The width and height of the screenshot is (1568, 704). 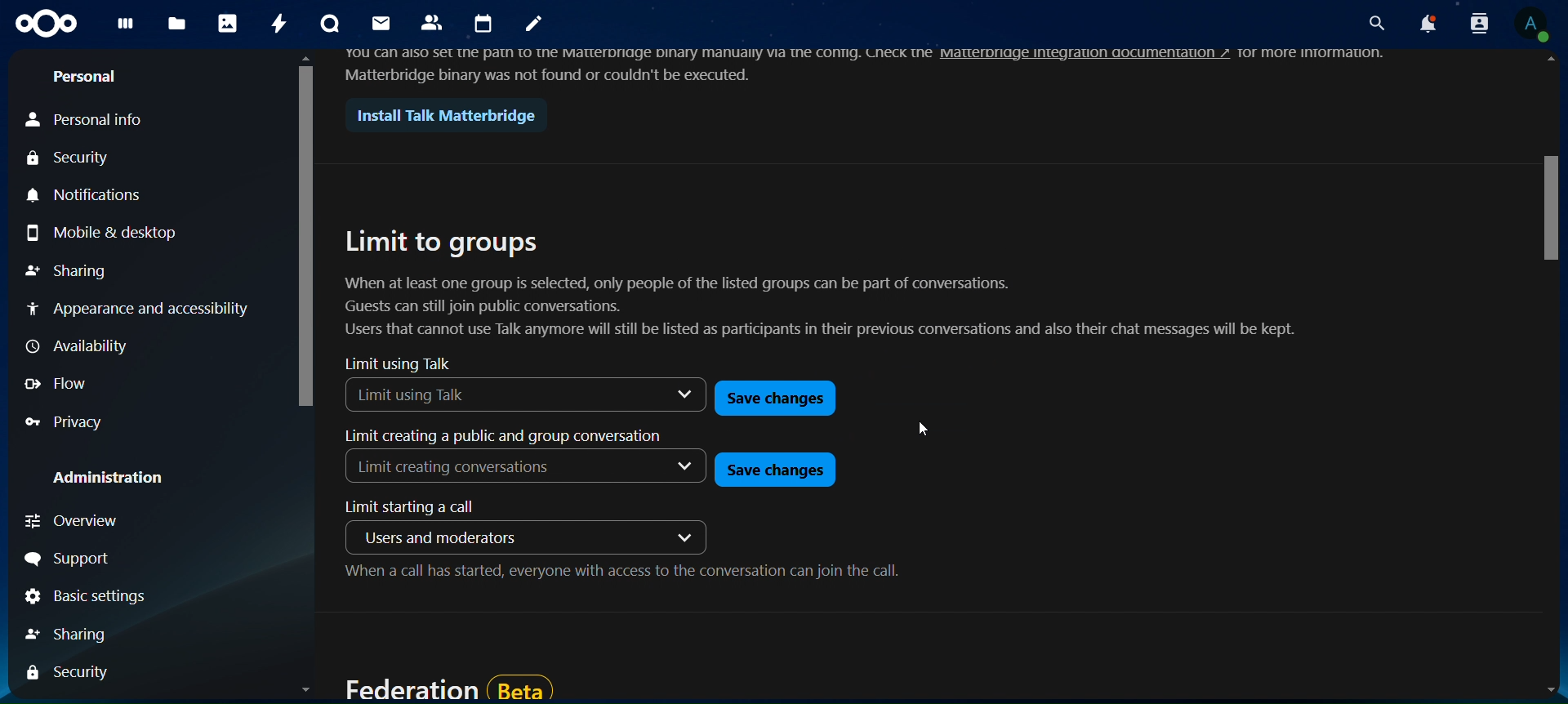 What do you see at coordinates (91, 194) in the screenshot?
I see `notifications` at bounding box center [91, 194].